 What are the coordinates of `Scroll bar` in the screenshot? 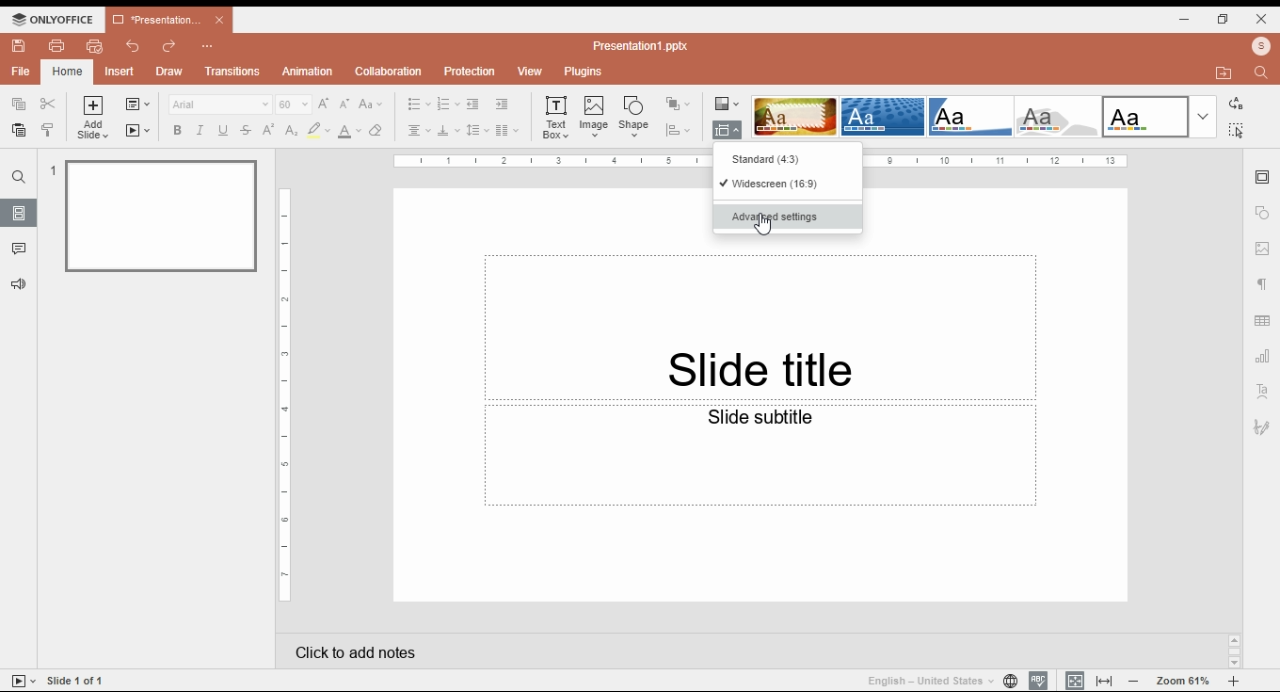 It's located at (1234, 650).